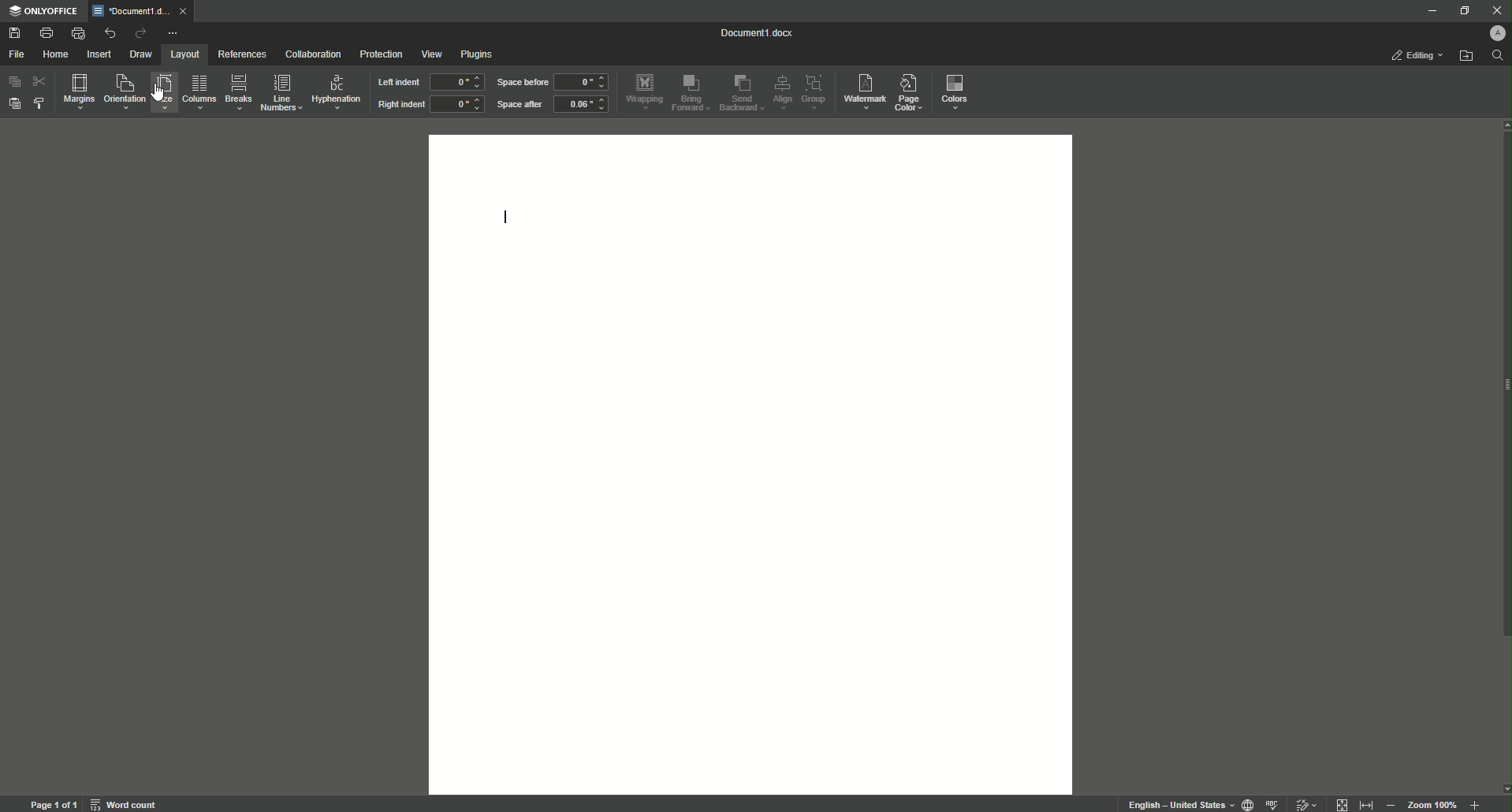 The width and height of the screenshot is (1512, 812). Describe the element at coordinates (173, 31) in the screenshot. I see `More Actions` at that location.